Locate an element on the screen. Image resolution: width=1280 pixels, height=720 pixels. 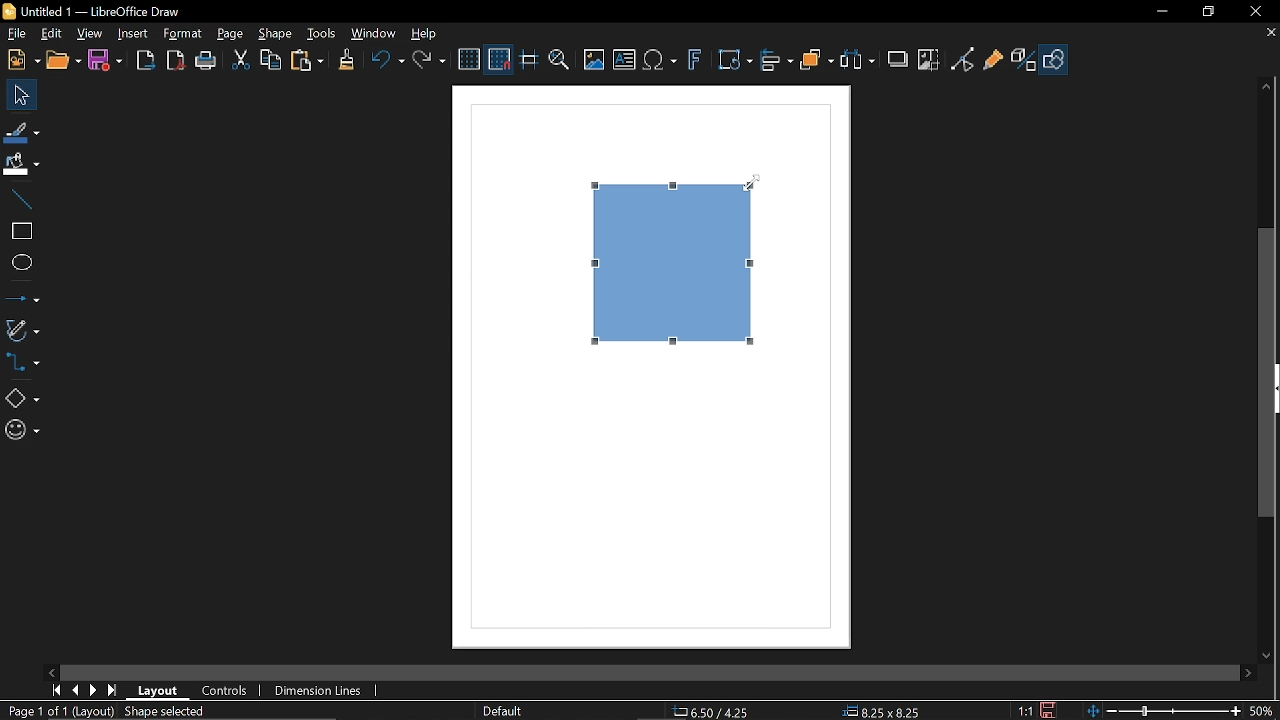
Rectangle (Selected Object ) is located at coordinates (671, 262).